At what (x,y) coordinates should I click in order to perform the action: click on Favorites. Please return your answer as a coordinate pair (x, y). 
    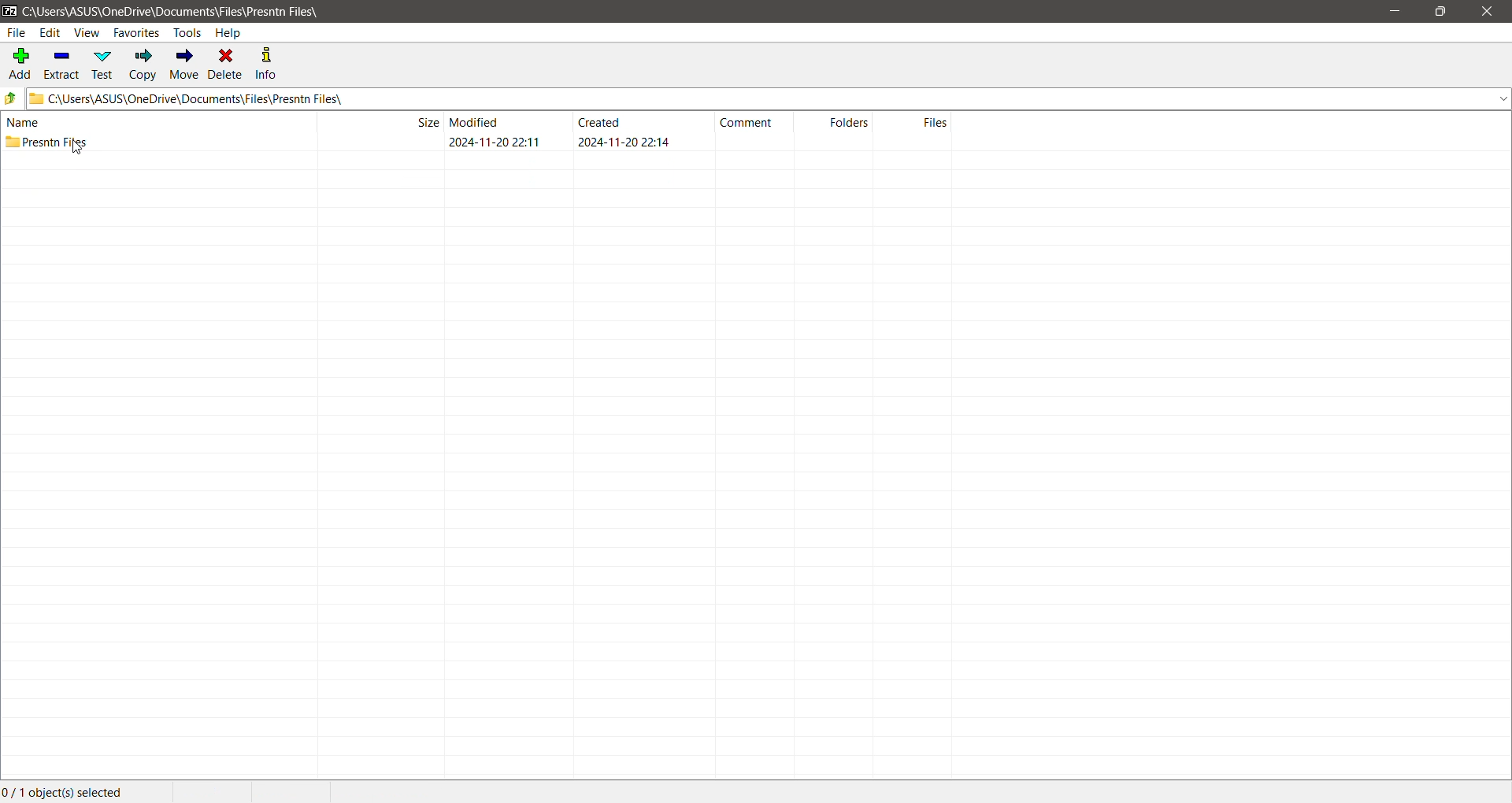
    Looking at the image, I should click on (137, 32).